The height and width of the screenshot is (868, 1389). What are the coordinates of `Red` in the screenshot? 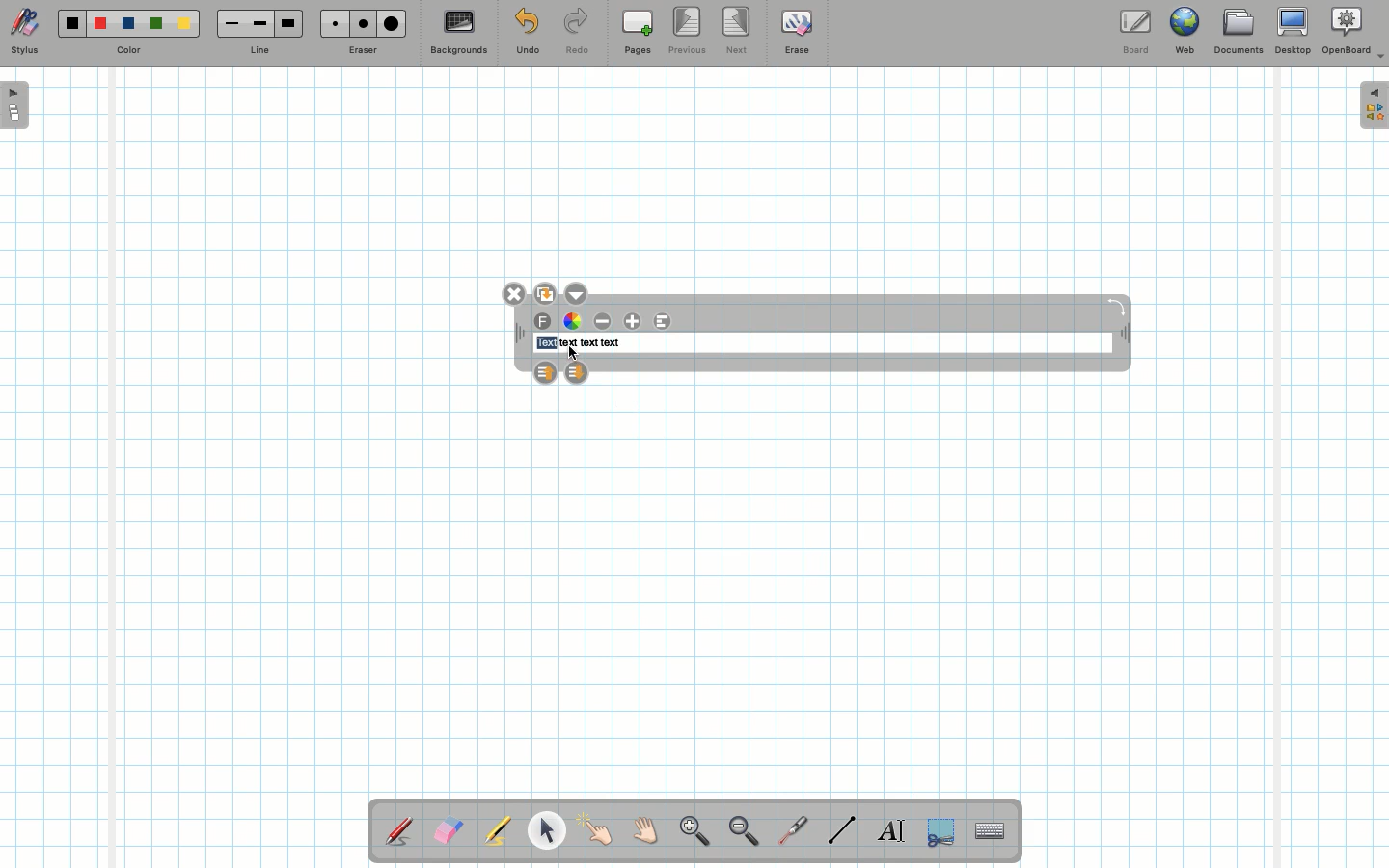 It's located at (101, 24).